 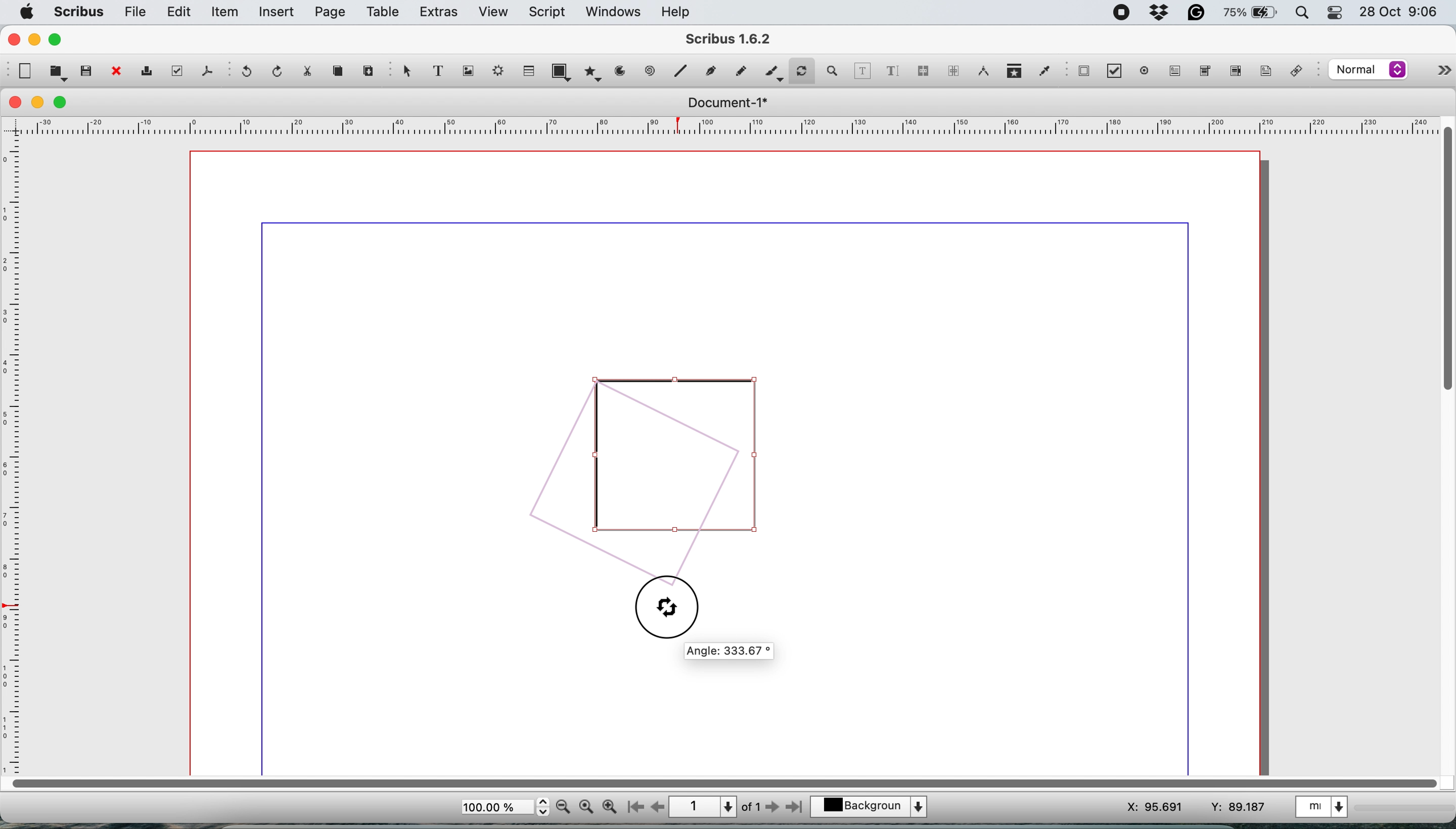 What do you see at coordinates (550, 12) in the screenshot?
I see `script` at bounding box center [550, 12].